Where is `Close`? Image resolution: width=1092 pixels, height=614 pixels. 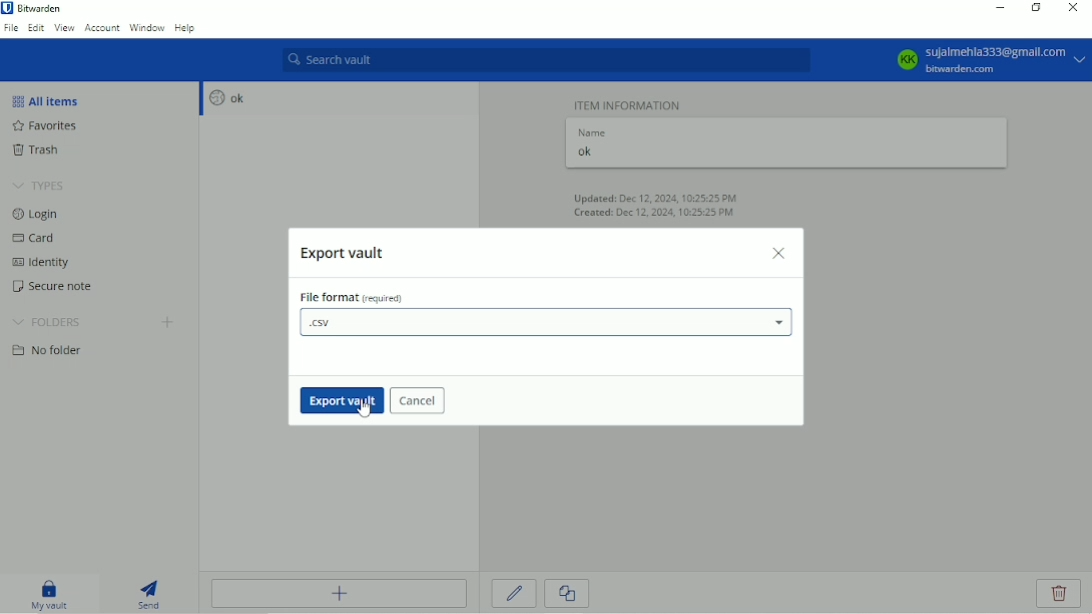 Close is located at coordinates (1071, 9).